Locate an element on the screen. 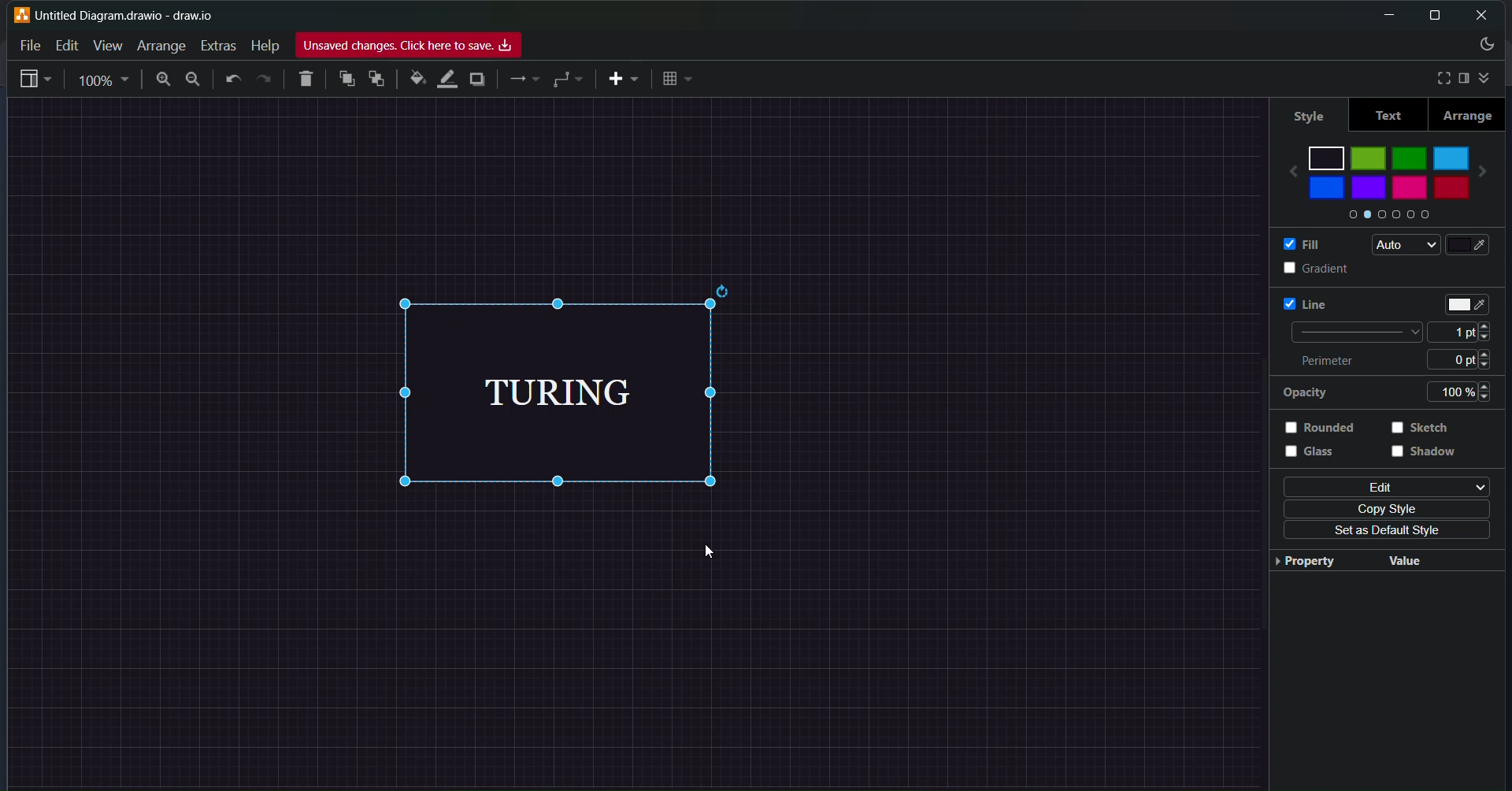 Image resolution: width=1512 pixels, height=791 pixels. Arrange is located at coordinates (161, 45).